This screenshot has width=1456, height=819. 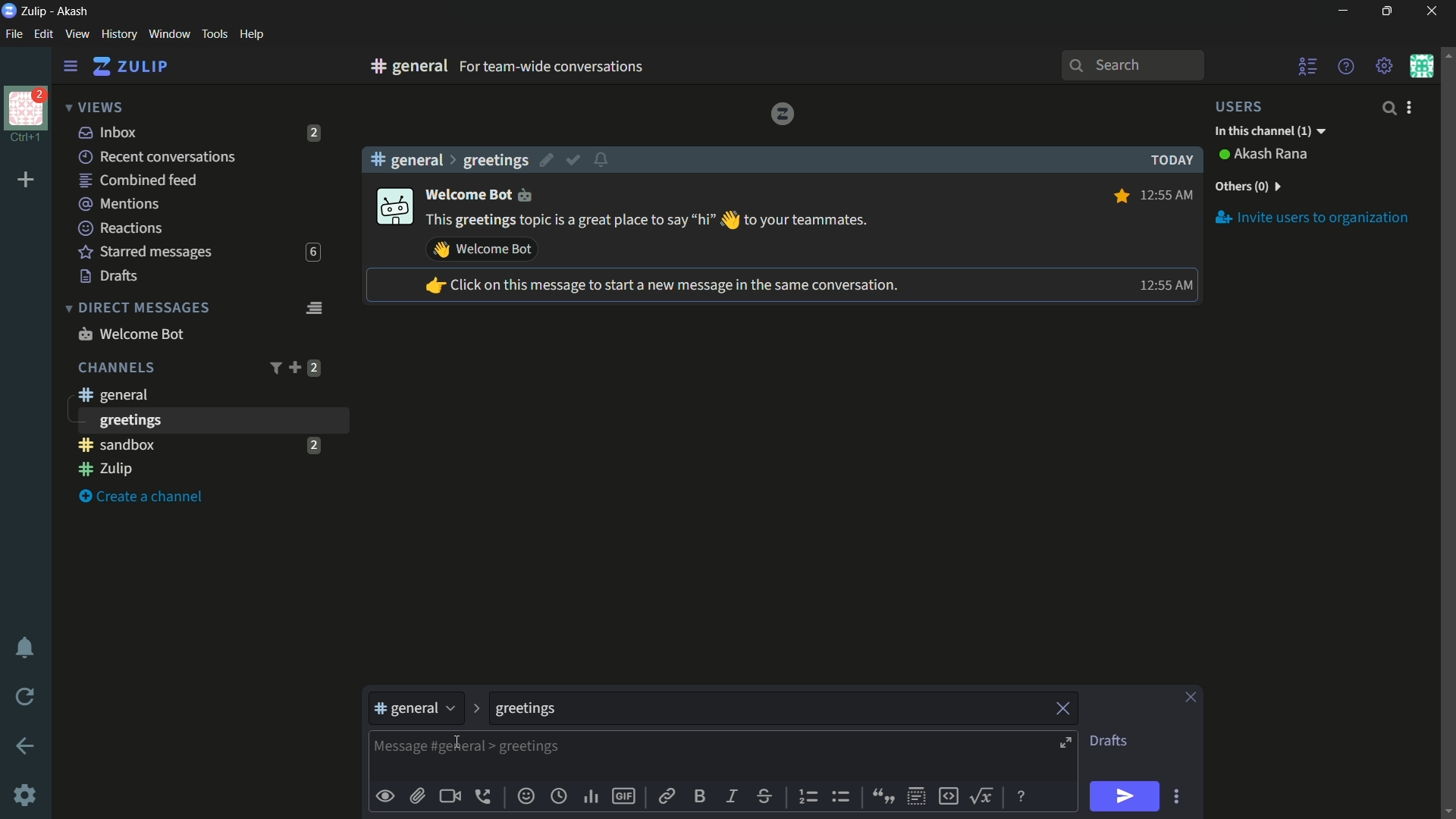 What do you see at coordinates (169, 34) in the screenshot?
I see `window menu` at bounding box center [169, 34].